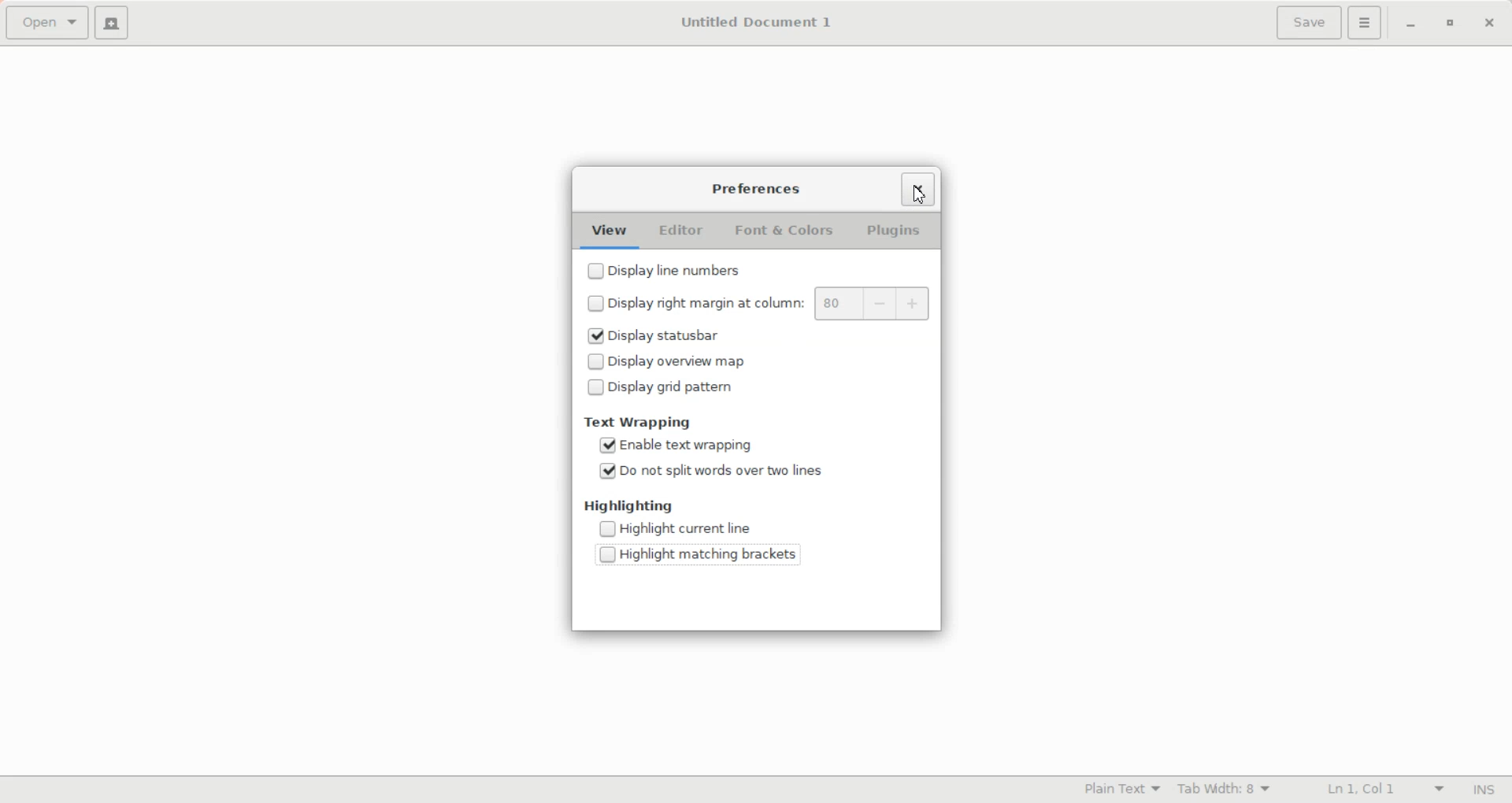  Describe the element at coordinates (721, 386) in the screenshot. I see `(un)check Disable Display grid pattern` at that location.